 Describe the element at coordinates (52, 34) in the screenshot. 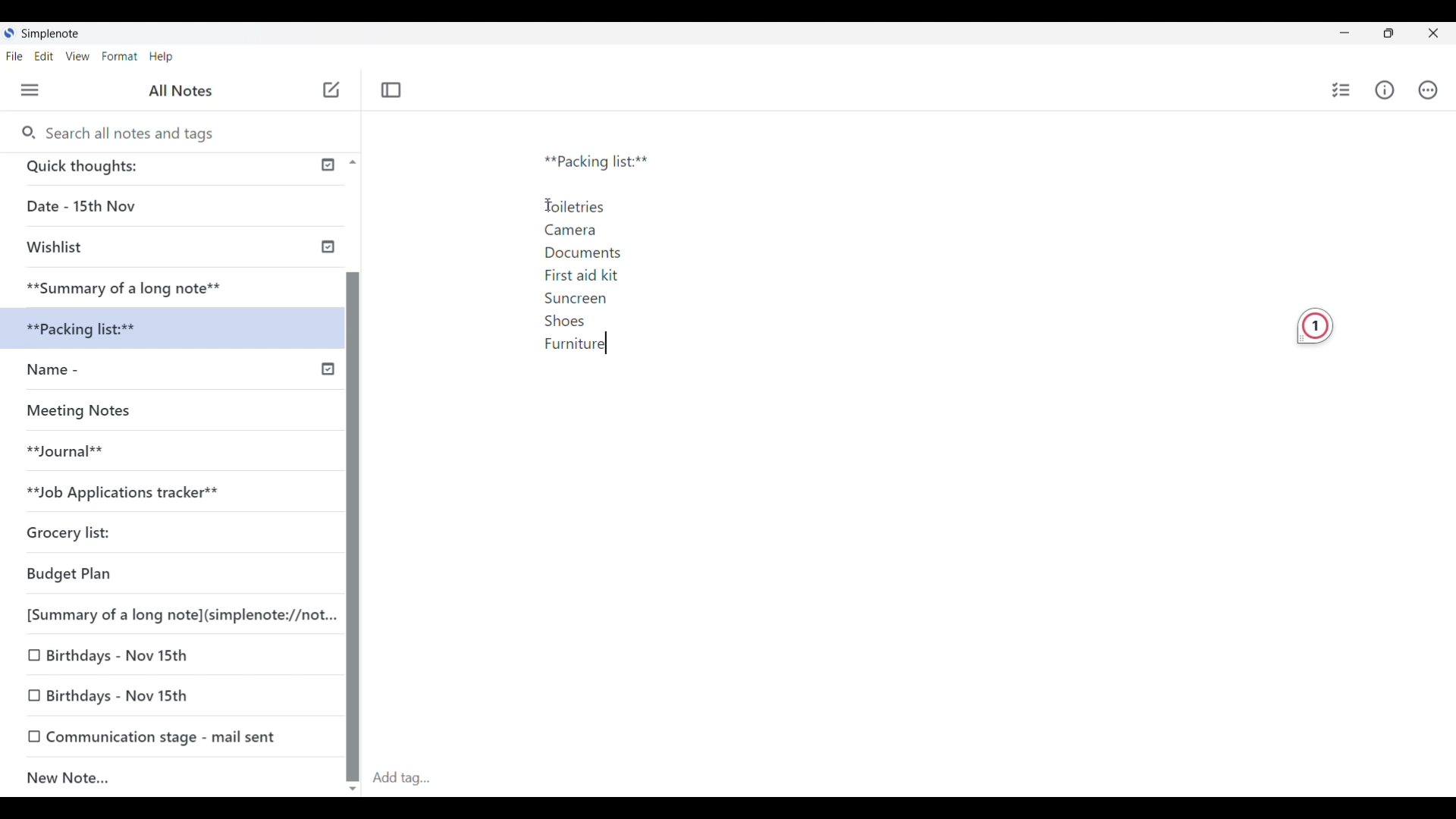

I see `Software name` at that location.